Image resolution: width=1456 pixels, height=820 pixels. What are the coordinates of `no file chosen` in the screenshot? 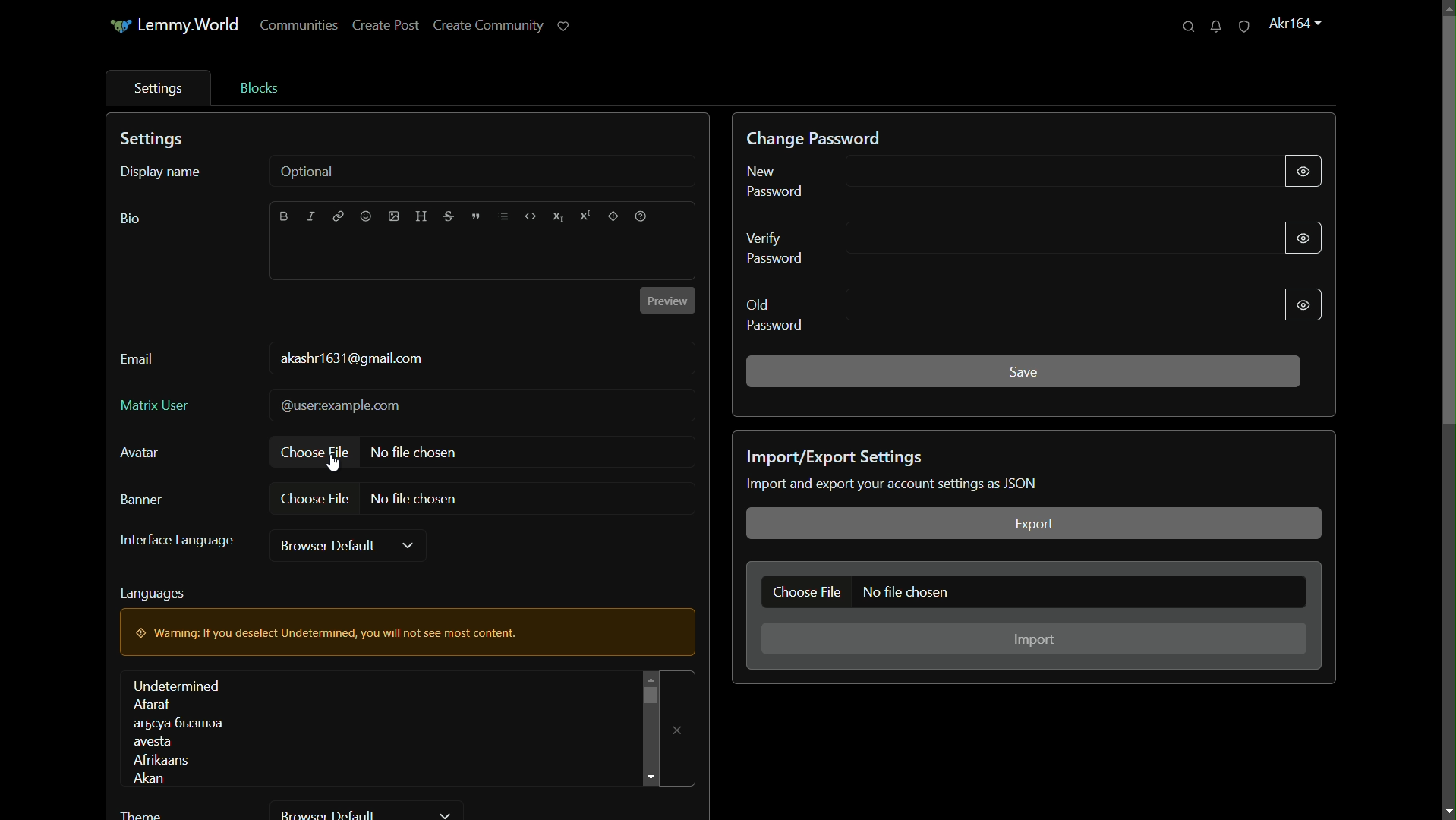 It's located at (909, 593).